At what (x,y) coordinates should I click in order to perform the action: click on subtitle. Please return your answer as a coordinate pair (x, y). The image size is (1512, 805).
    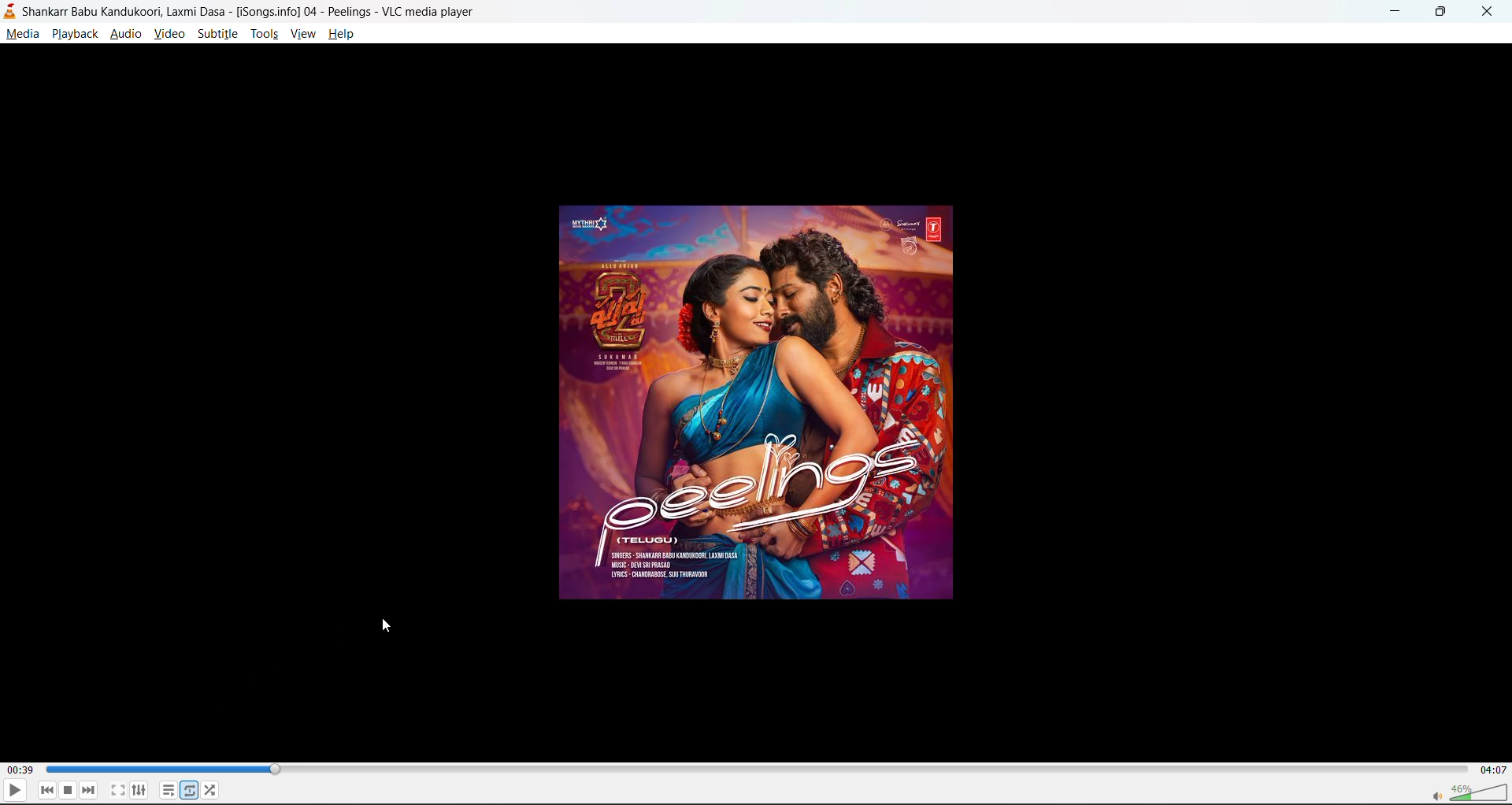
    Looking at the image, I should click on (220, 35).